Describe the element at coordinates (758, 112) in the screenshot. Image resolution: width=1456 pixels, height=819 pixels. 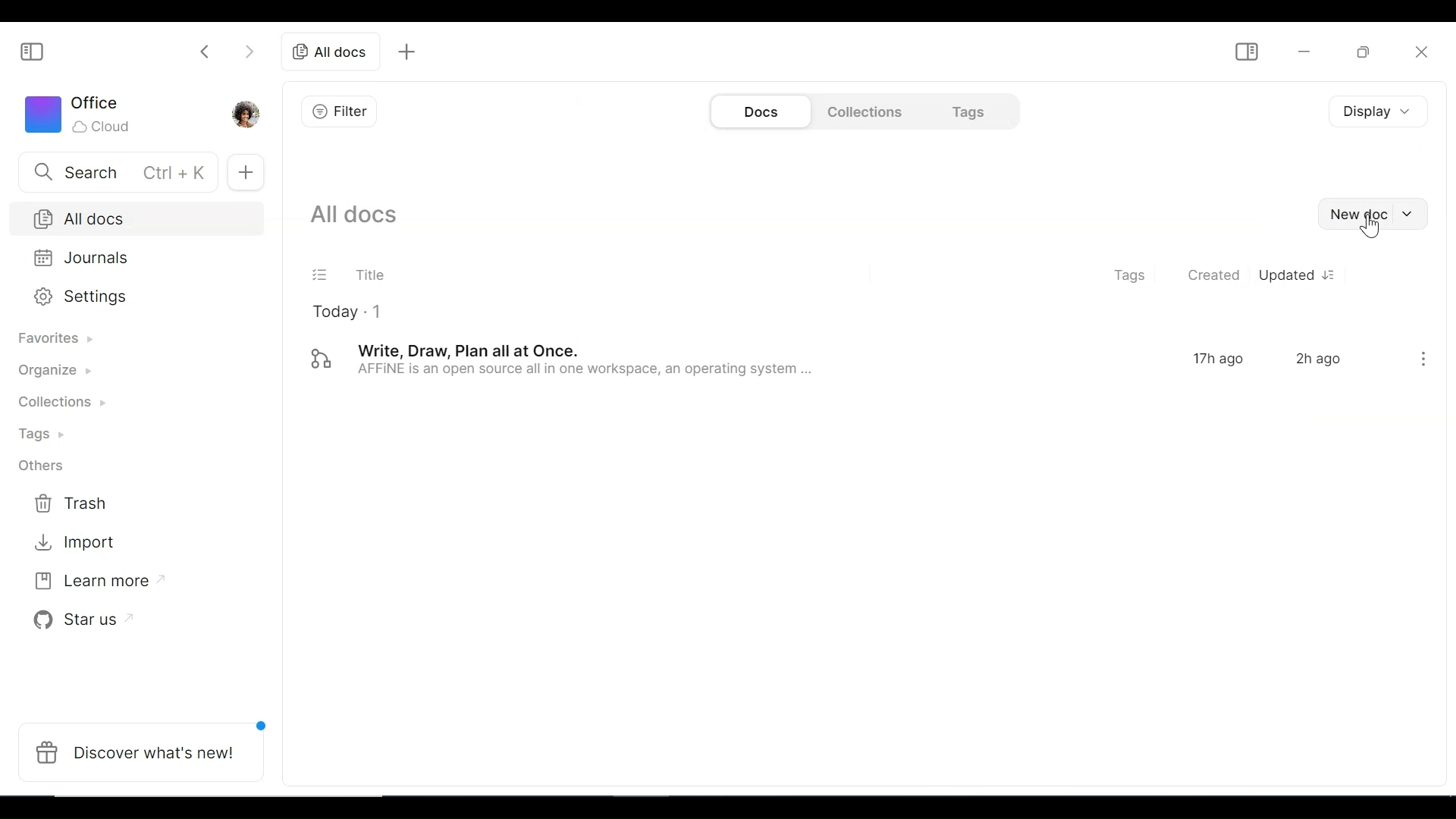
I see `Documents` at that location.